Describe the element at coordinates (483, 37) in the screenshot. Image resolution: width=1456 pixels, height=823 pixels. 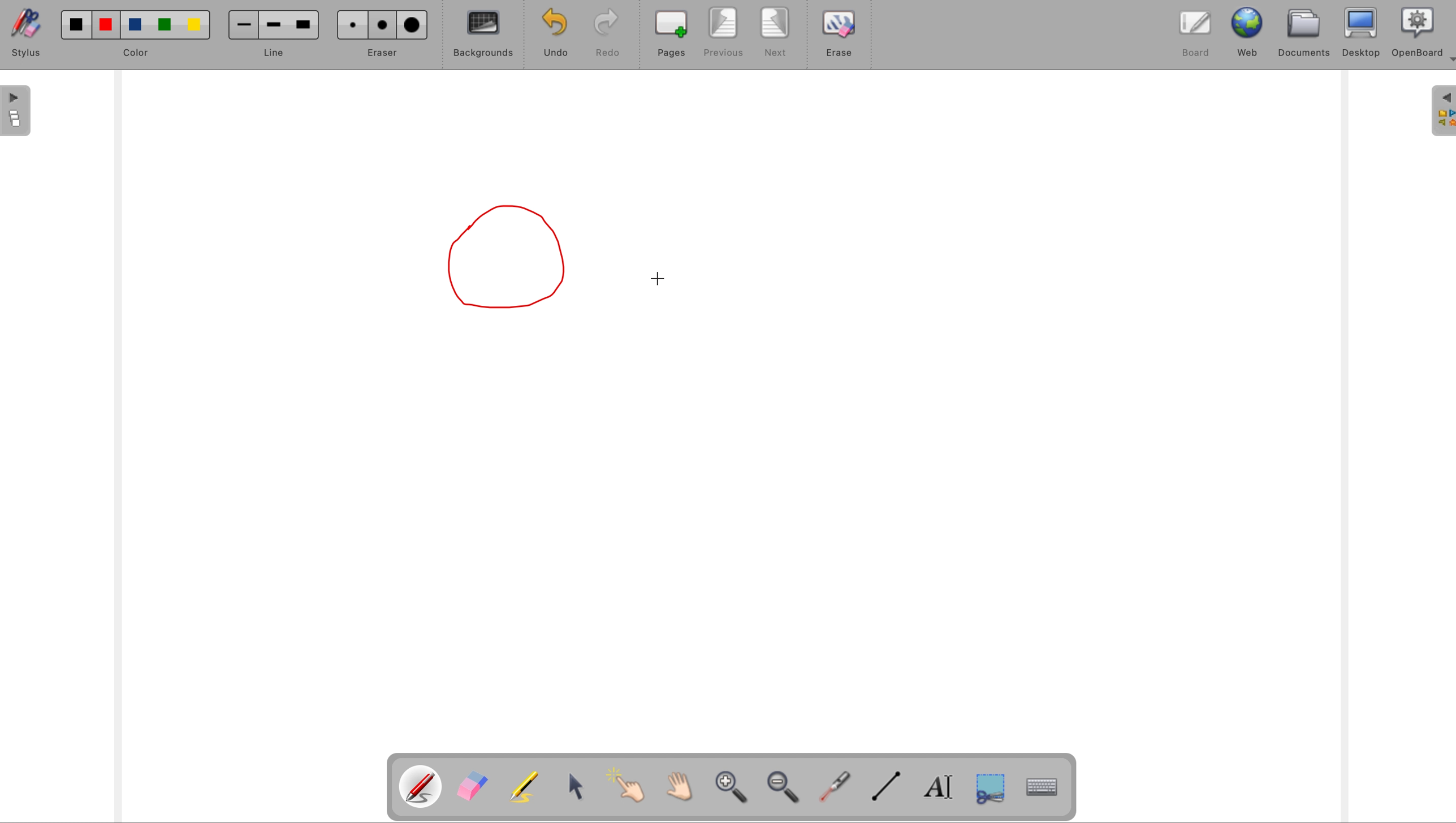
I see `backgrounds` at that location.